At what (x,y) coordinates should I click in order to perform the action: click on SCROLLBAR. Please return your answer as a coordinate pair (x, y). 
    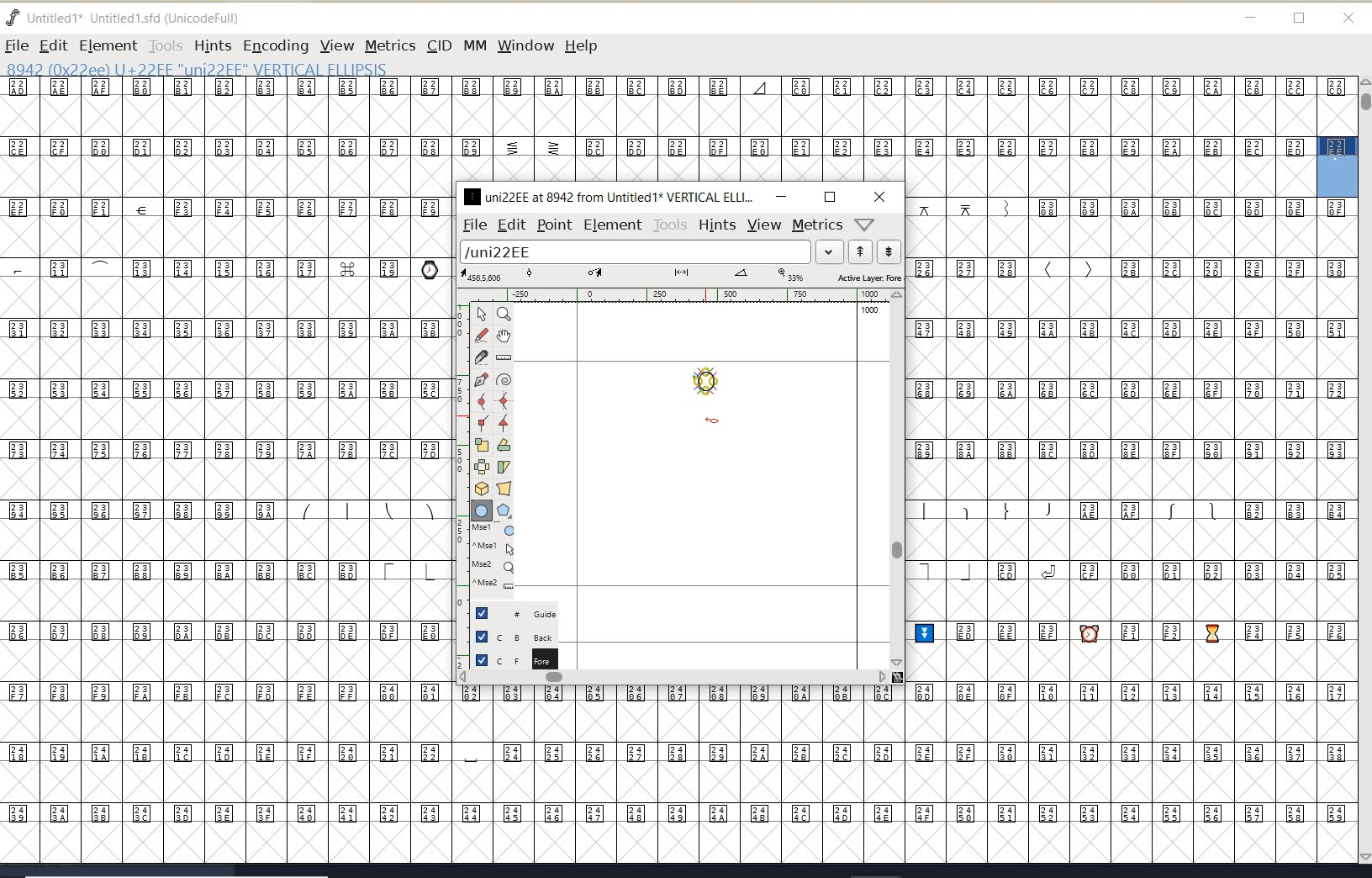
    Looking at the image, I should click on (1364, 472).